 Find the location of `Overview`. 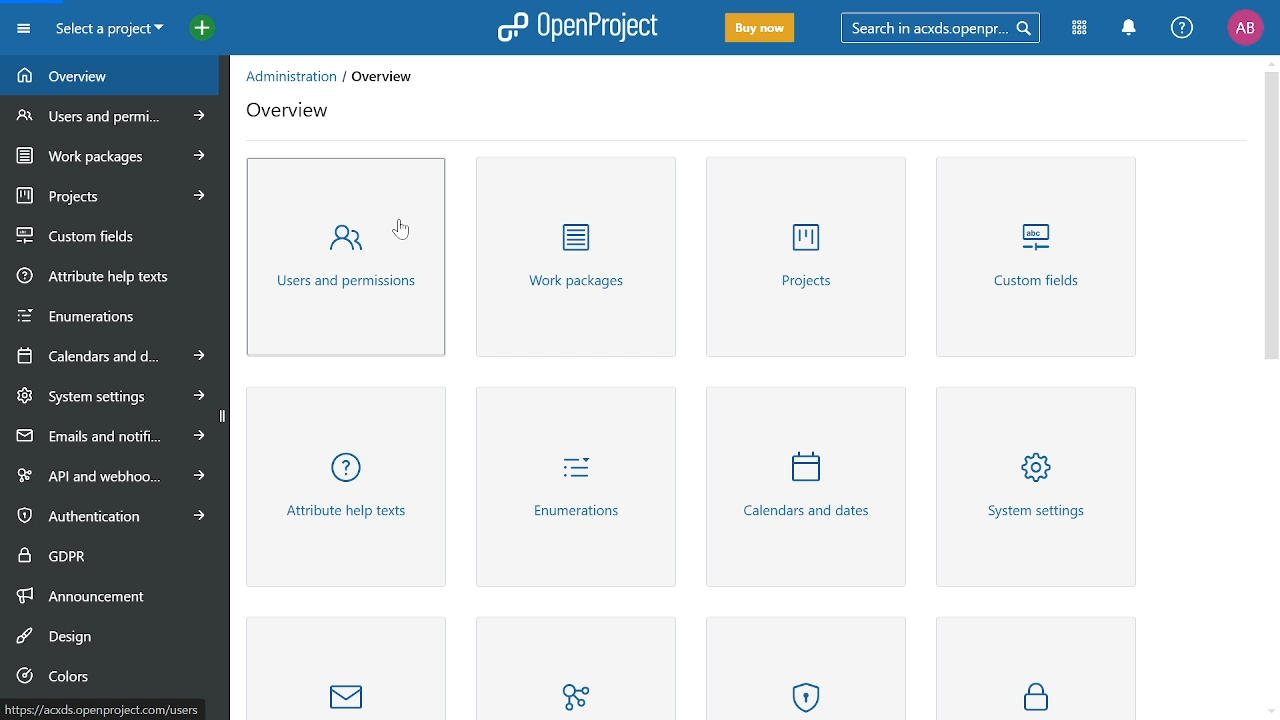

Overview is located at coordinates (67, 77).